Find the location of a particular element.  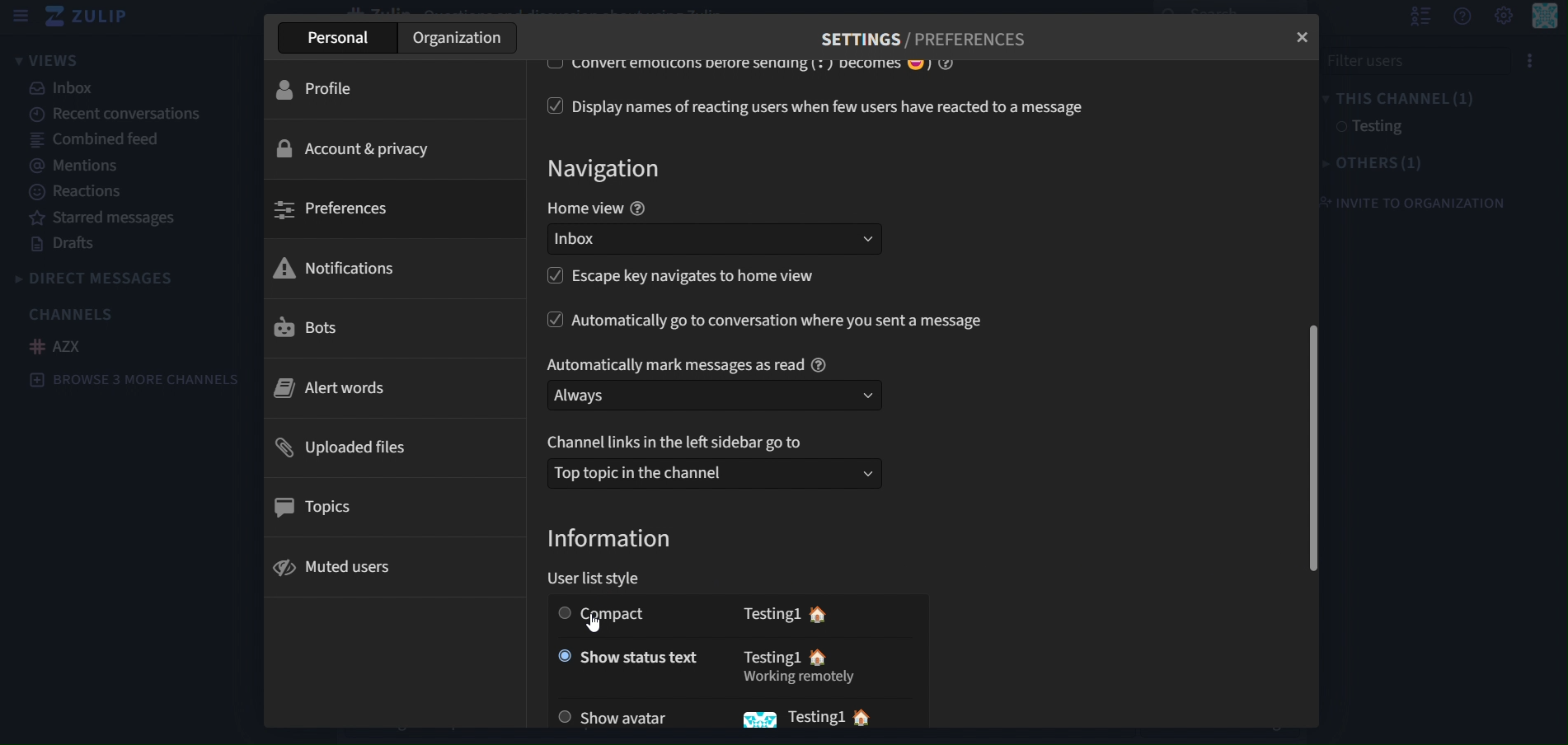

Automatically mark messages as read is located at coordinates (686, 361).